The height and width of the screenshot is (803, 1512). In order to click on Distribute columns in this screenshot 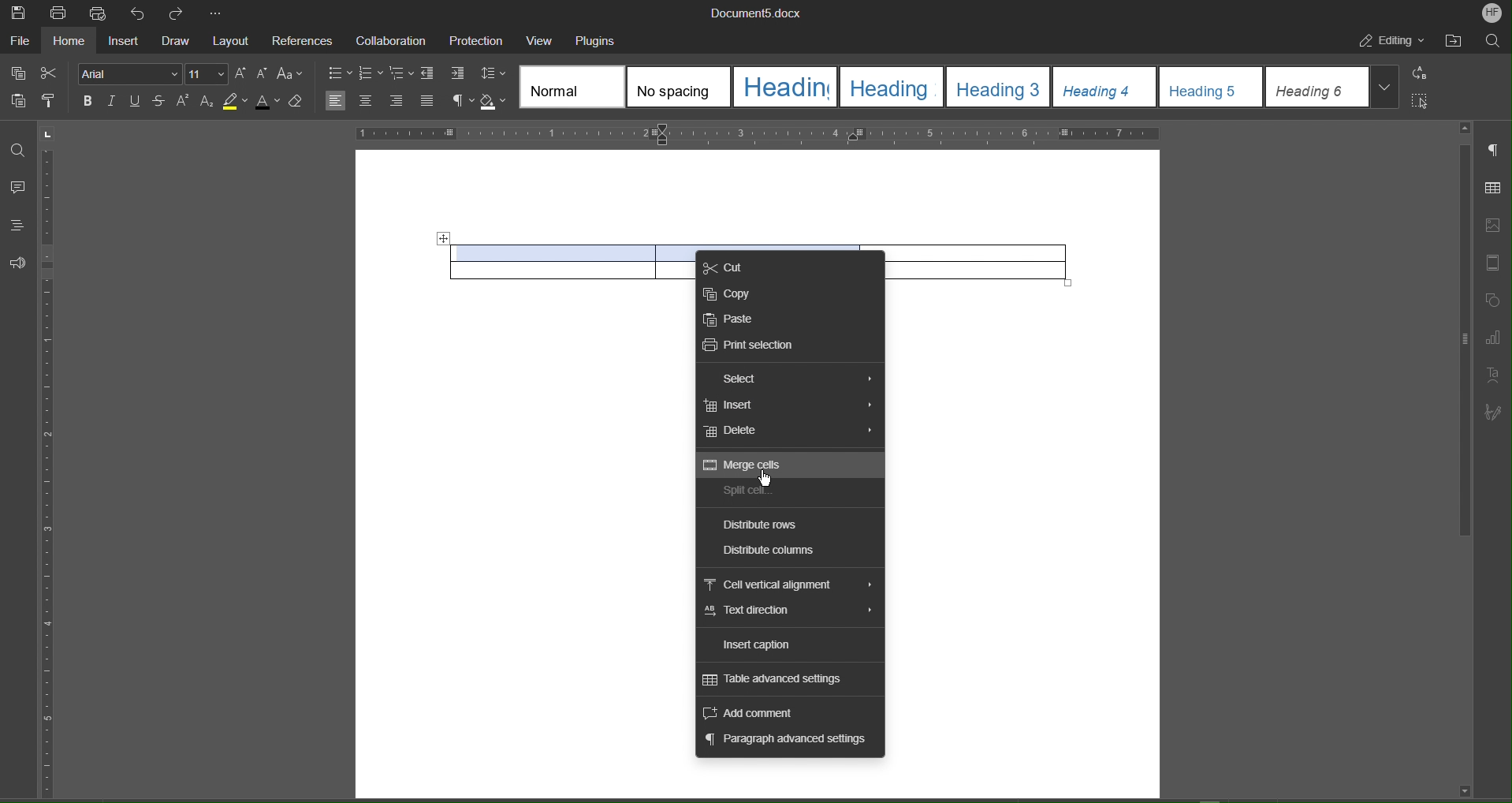, I will do `click(772, 553)`.